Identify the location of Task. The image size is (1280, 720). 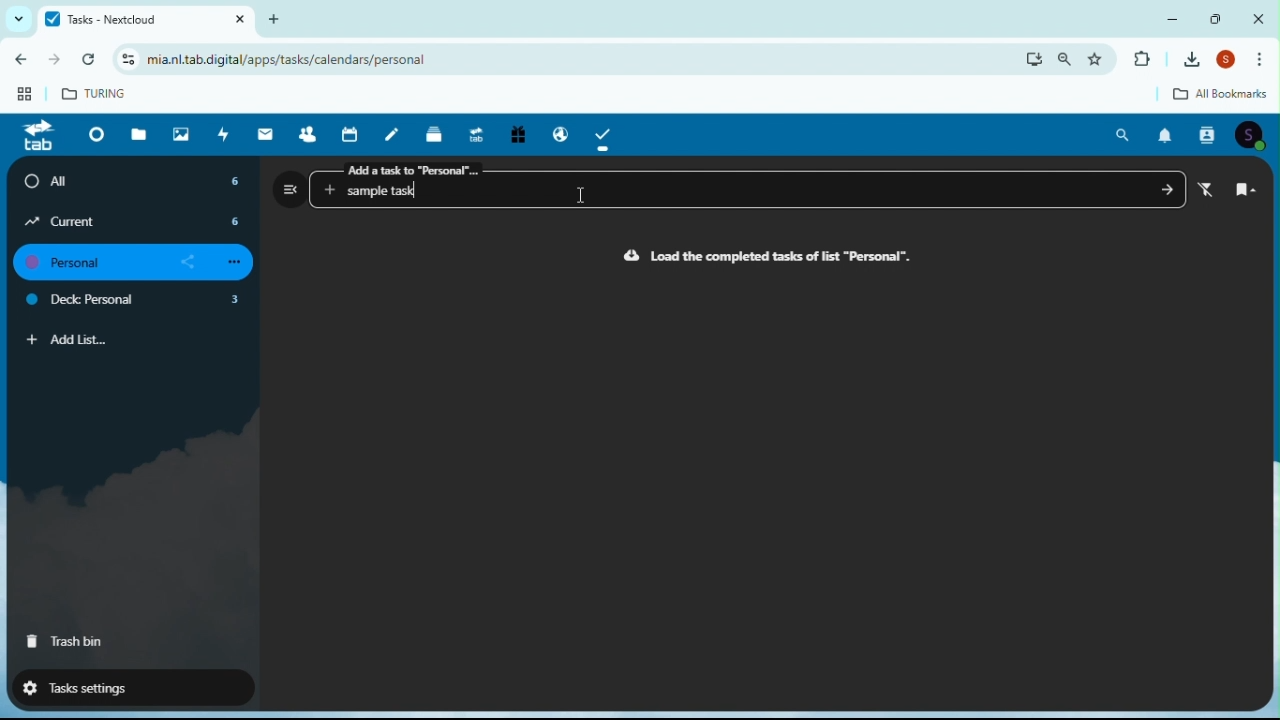
(605, 134).